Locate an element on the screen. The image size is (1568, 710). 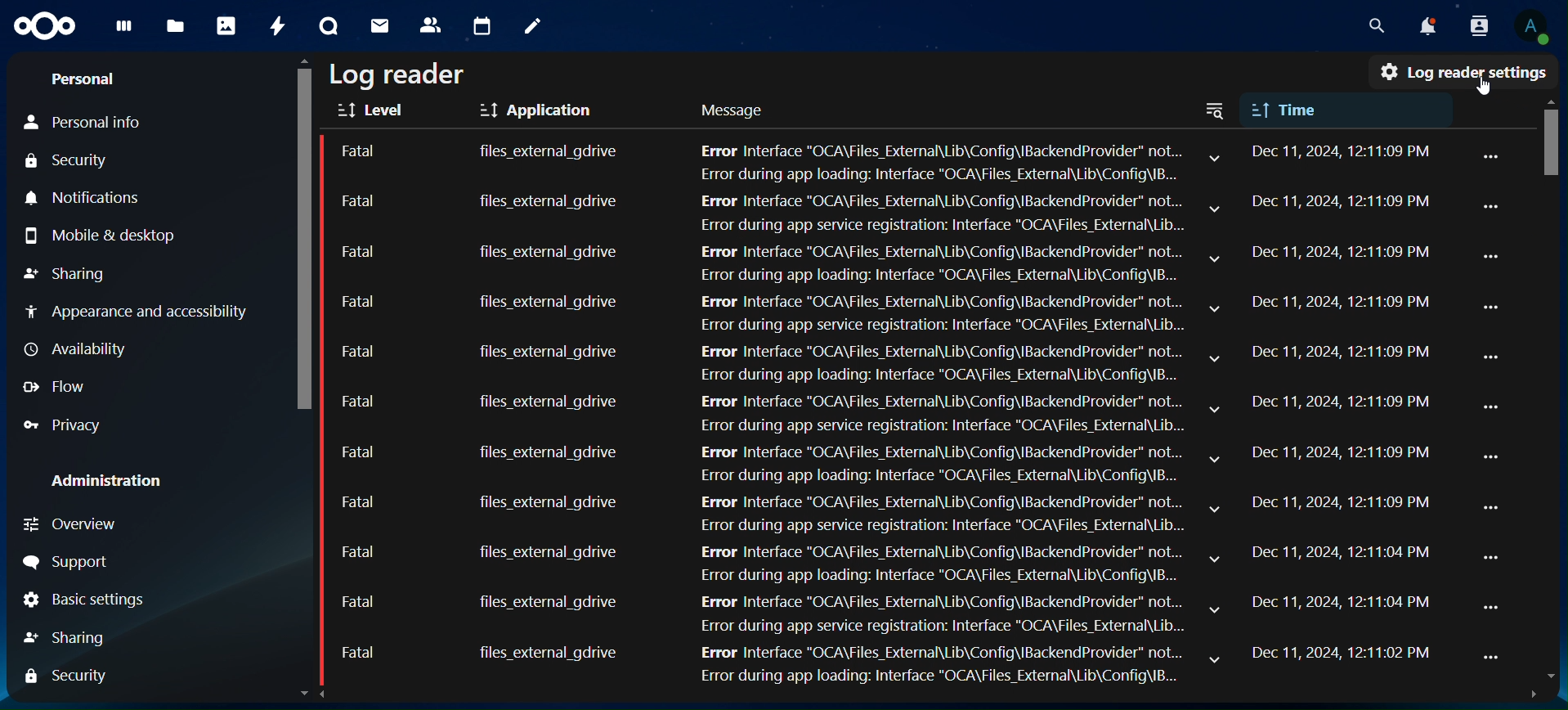
cursor is located at coordinates (1491, 88).